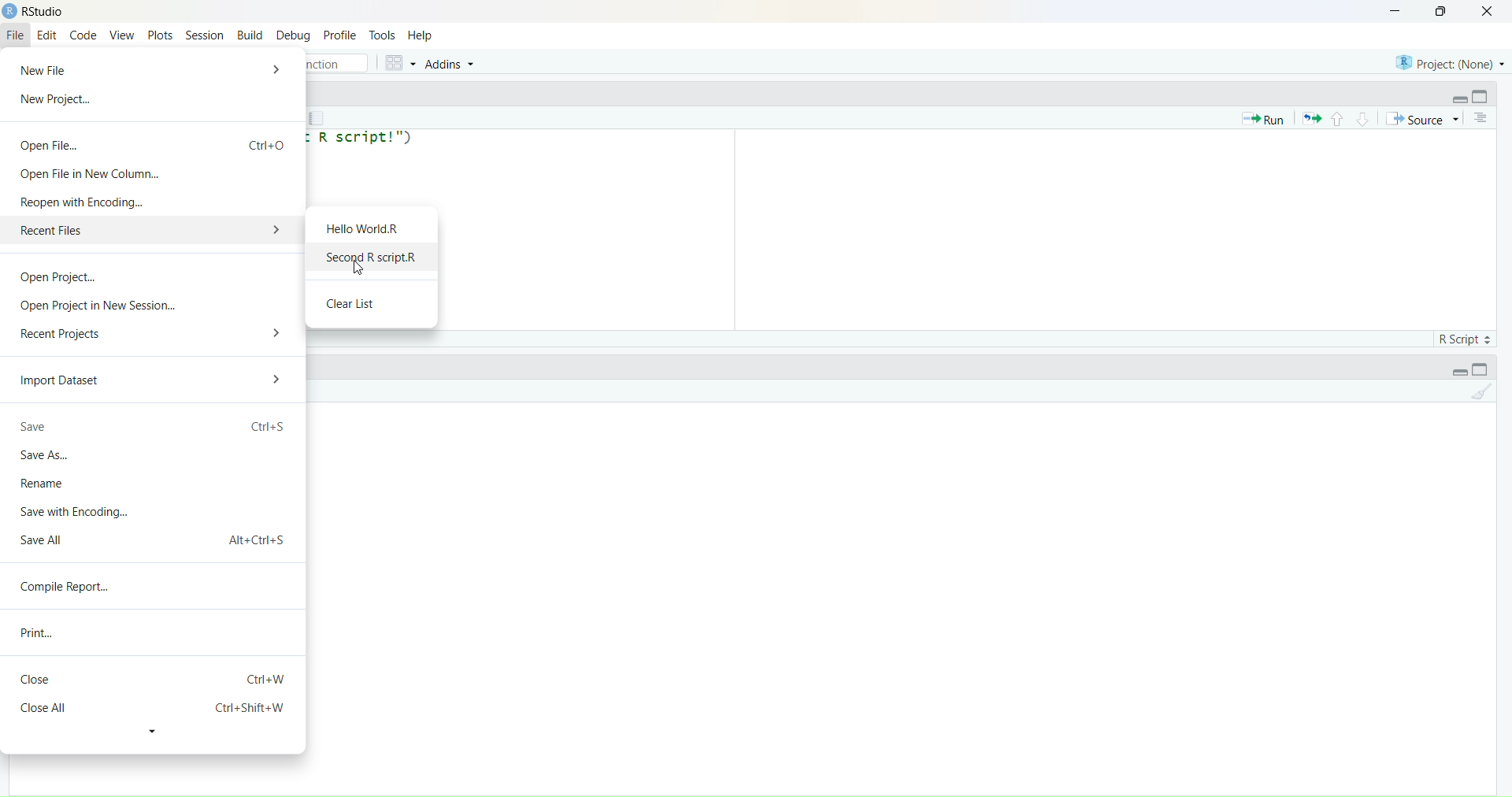 This screenshot has width=1512, height=797. What do you see at coordinates (87, 173) in the screenshot?
I see `Open File in New Column...` at bounding box center [87, 173].